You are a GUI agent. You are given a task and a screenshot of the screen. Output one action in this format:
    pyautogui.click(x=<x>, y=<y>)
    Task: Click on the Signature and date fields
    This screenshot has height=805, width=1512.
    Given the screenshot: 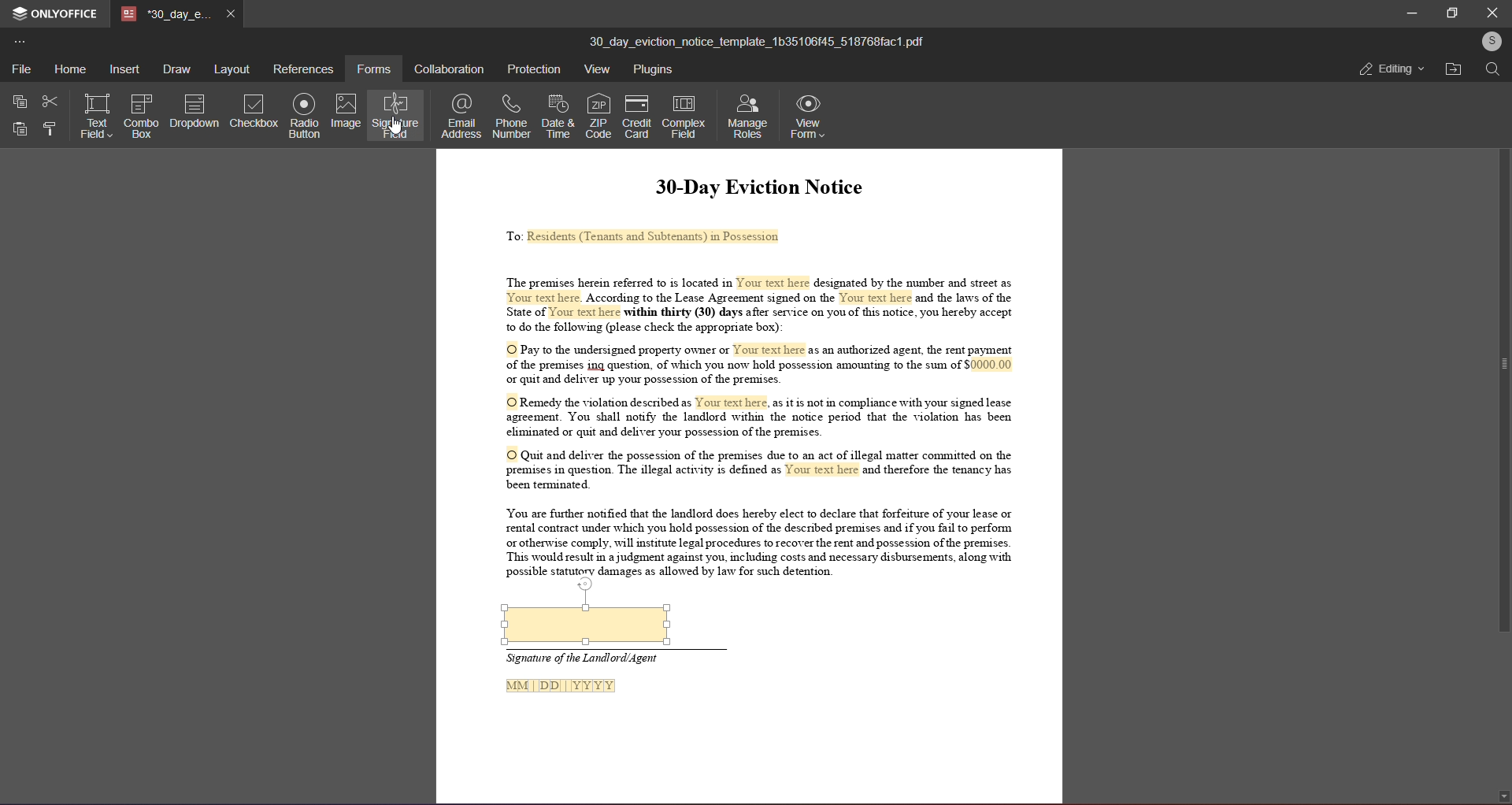 What is the action you would take?
    pyautogui.click(x=597, y=678)
    